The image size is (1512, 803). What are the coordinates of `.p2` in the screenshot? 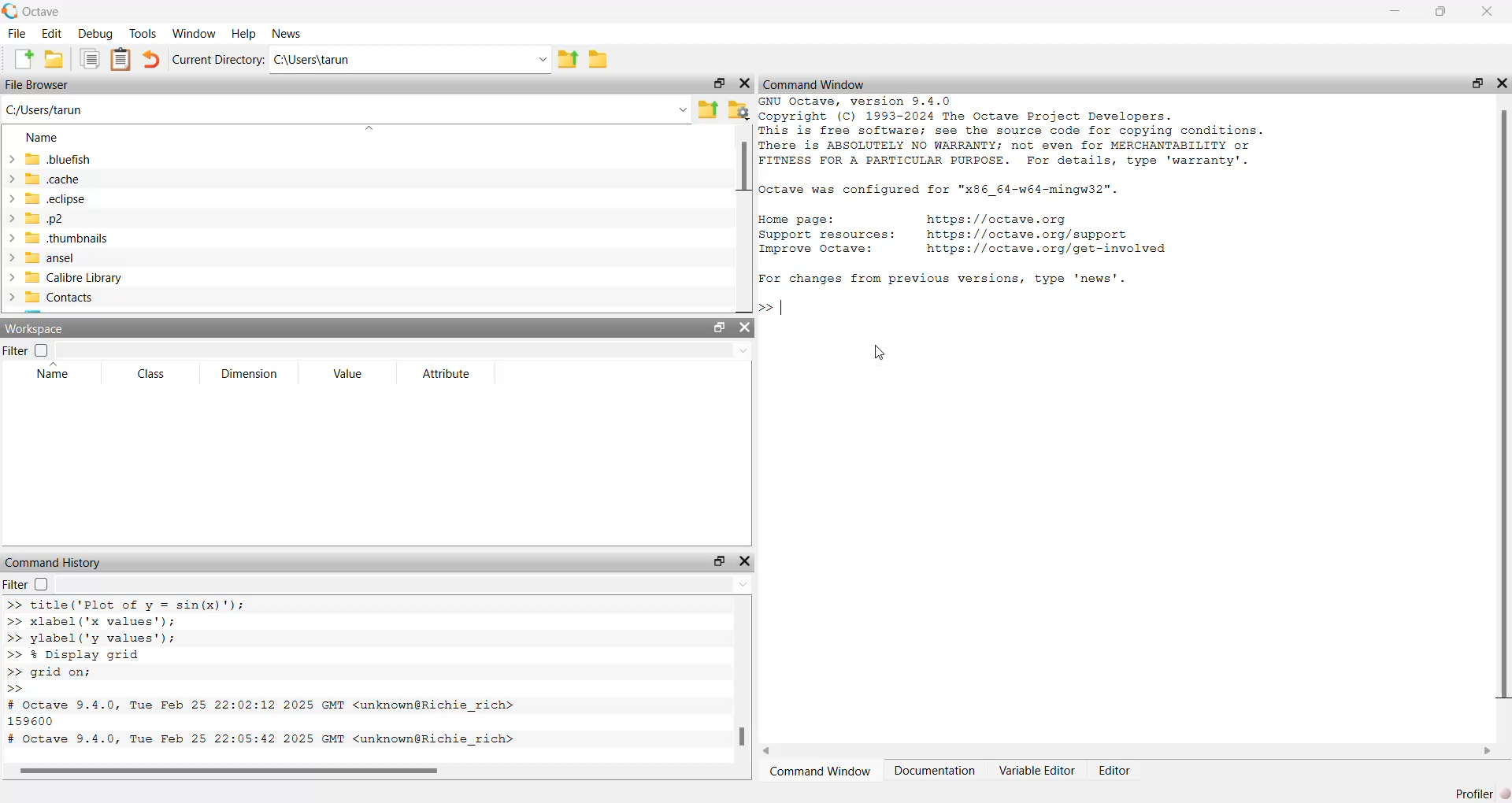 It's located at (36, 219).